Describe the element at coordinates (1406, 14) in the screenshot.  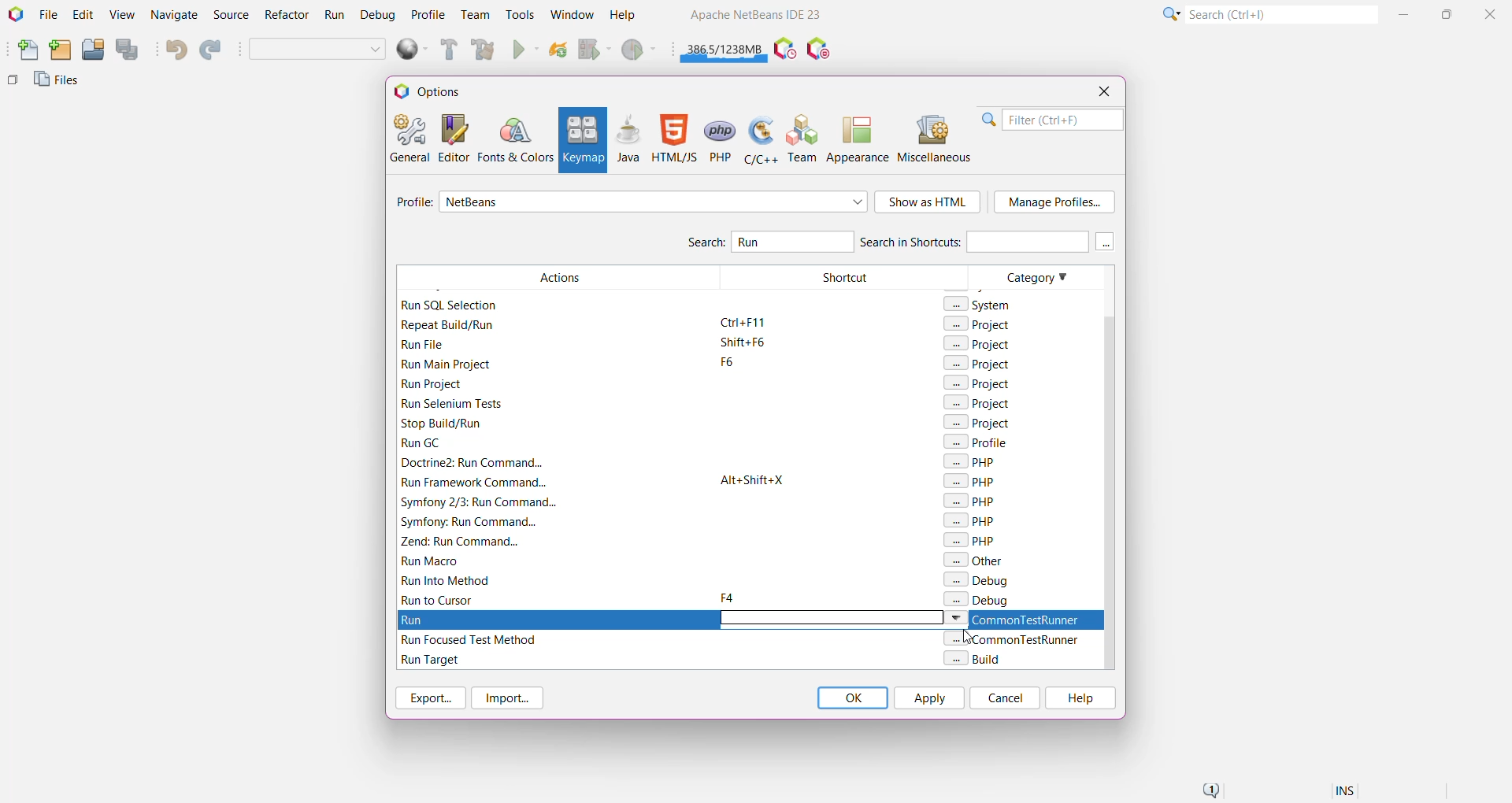
I see `Minimize` at that location.